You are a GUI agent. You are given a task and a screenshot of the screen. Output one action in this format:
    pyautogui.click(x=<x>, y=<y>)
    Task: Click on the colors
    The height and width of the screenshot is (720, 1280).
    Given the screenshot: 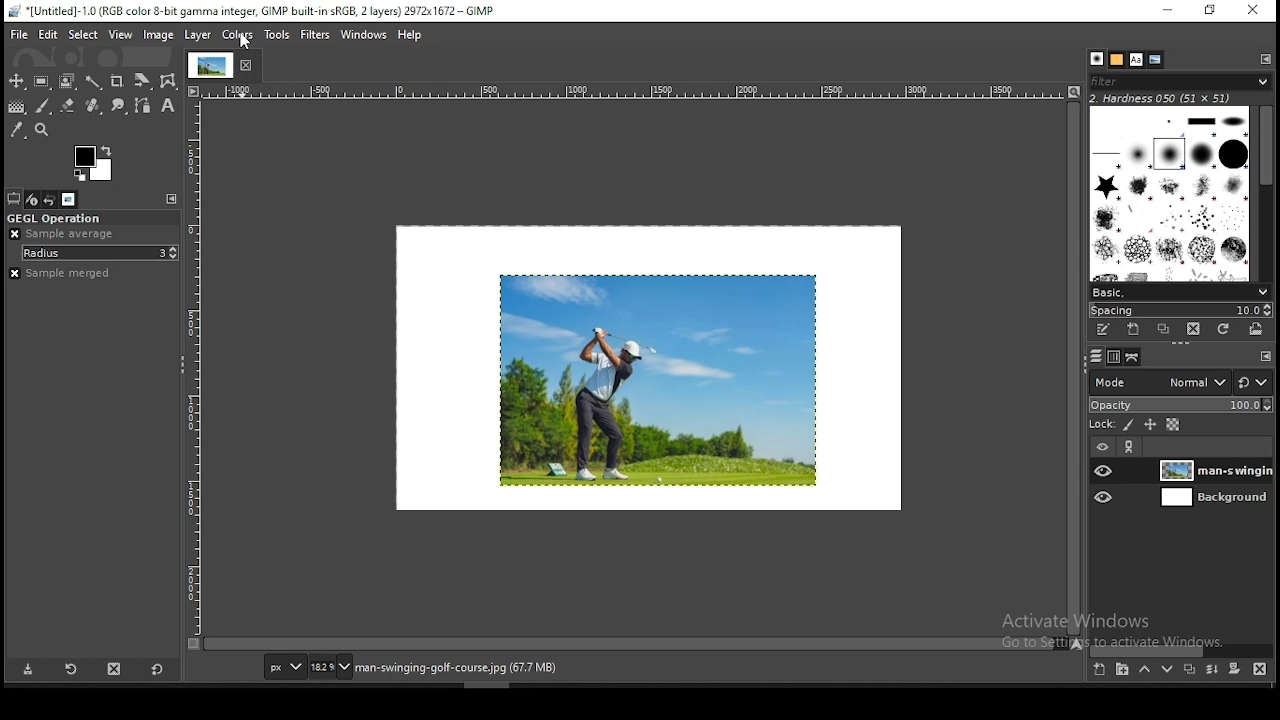 What is the action you would take?
    pyautogui.click(x=239, y=35)
    